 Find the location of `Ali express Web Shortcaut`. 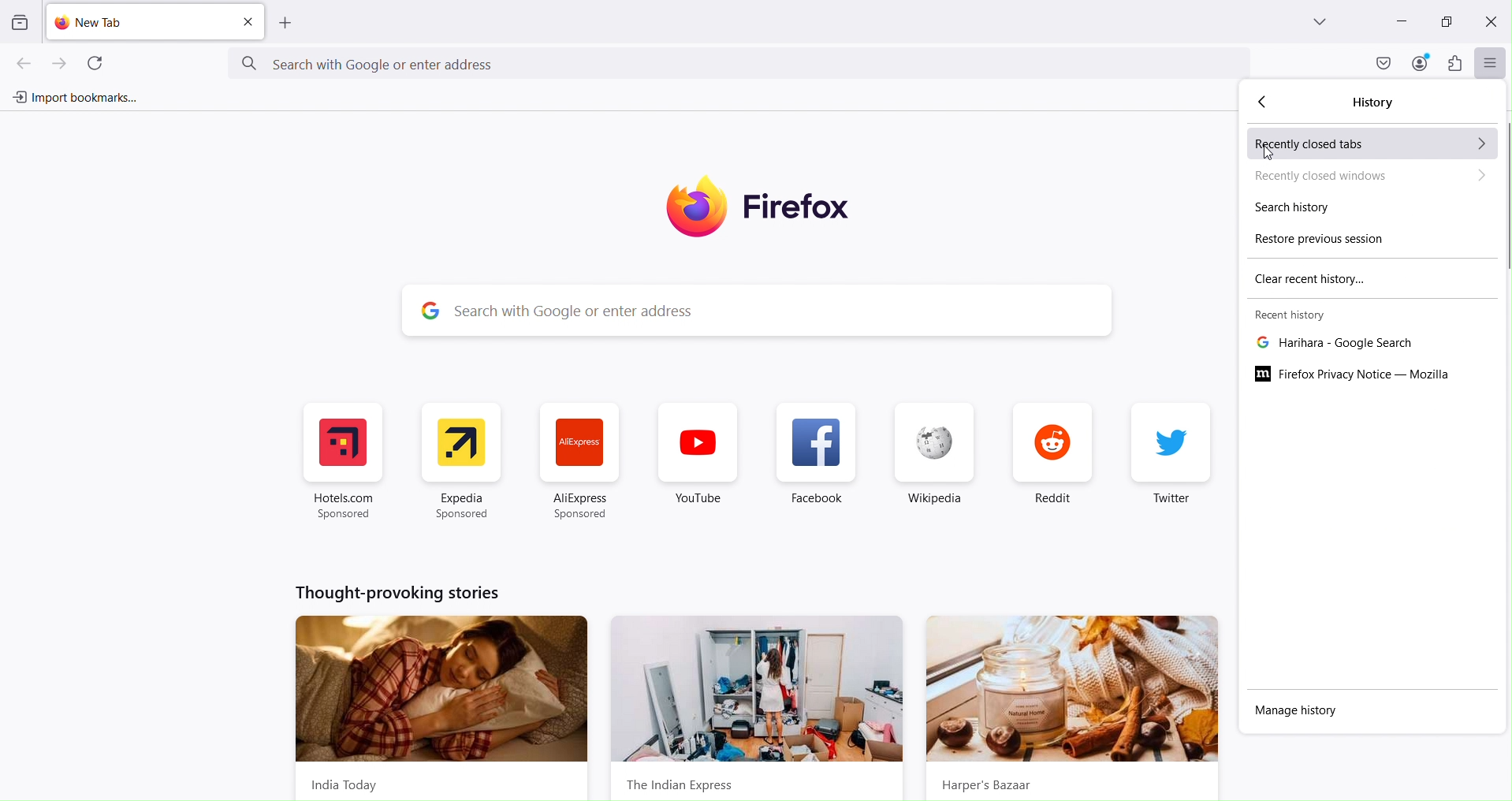

Ali express Web Shortcaut is located at coordinates (581, 464).